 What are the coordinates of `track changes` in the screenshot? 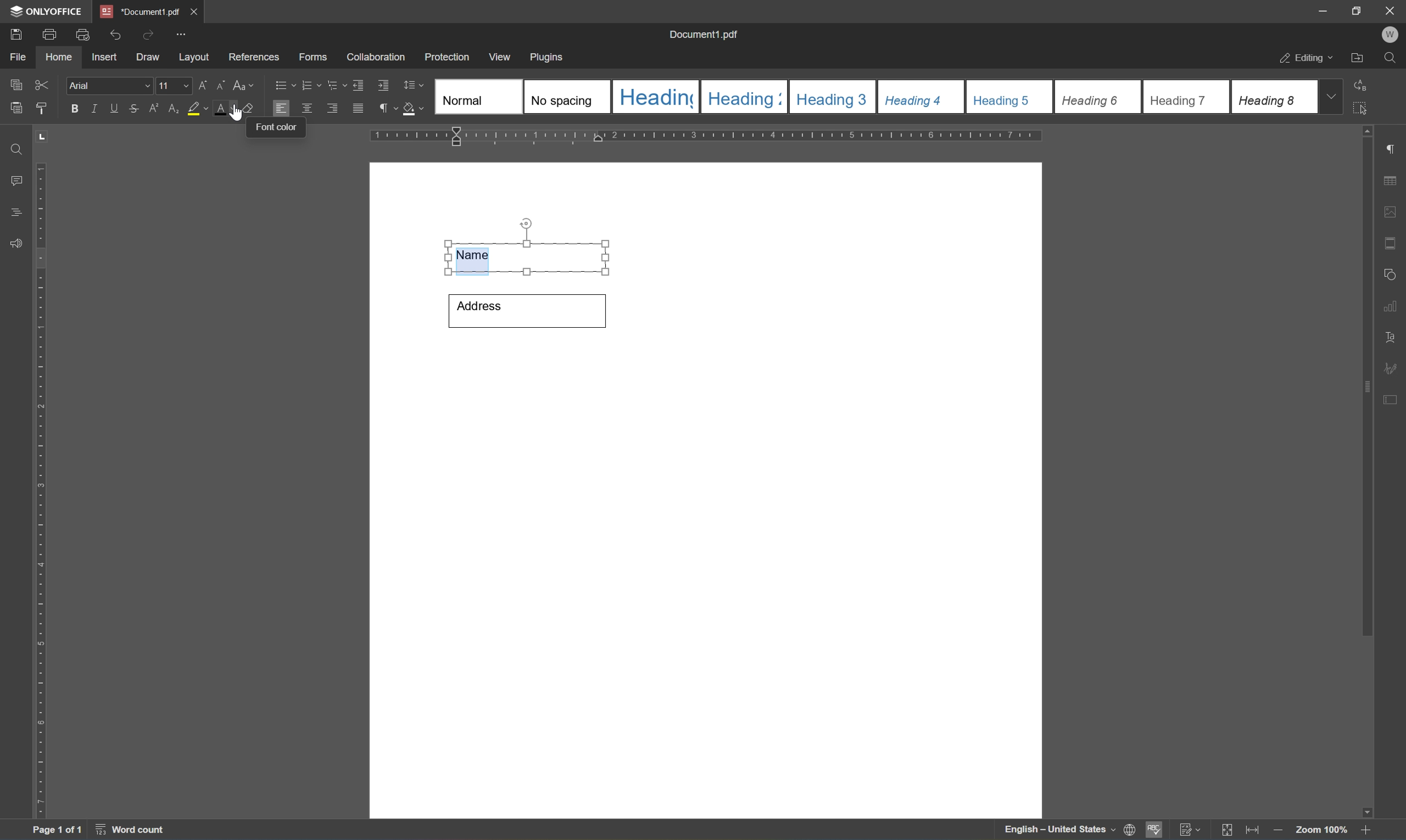 It's located at (1191, 830).